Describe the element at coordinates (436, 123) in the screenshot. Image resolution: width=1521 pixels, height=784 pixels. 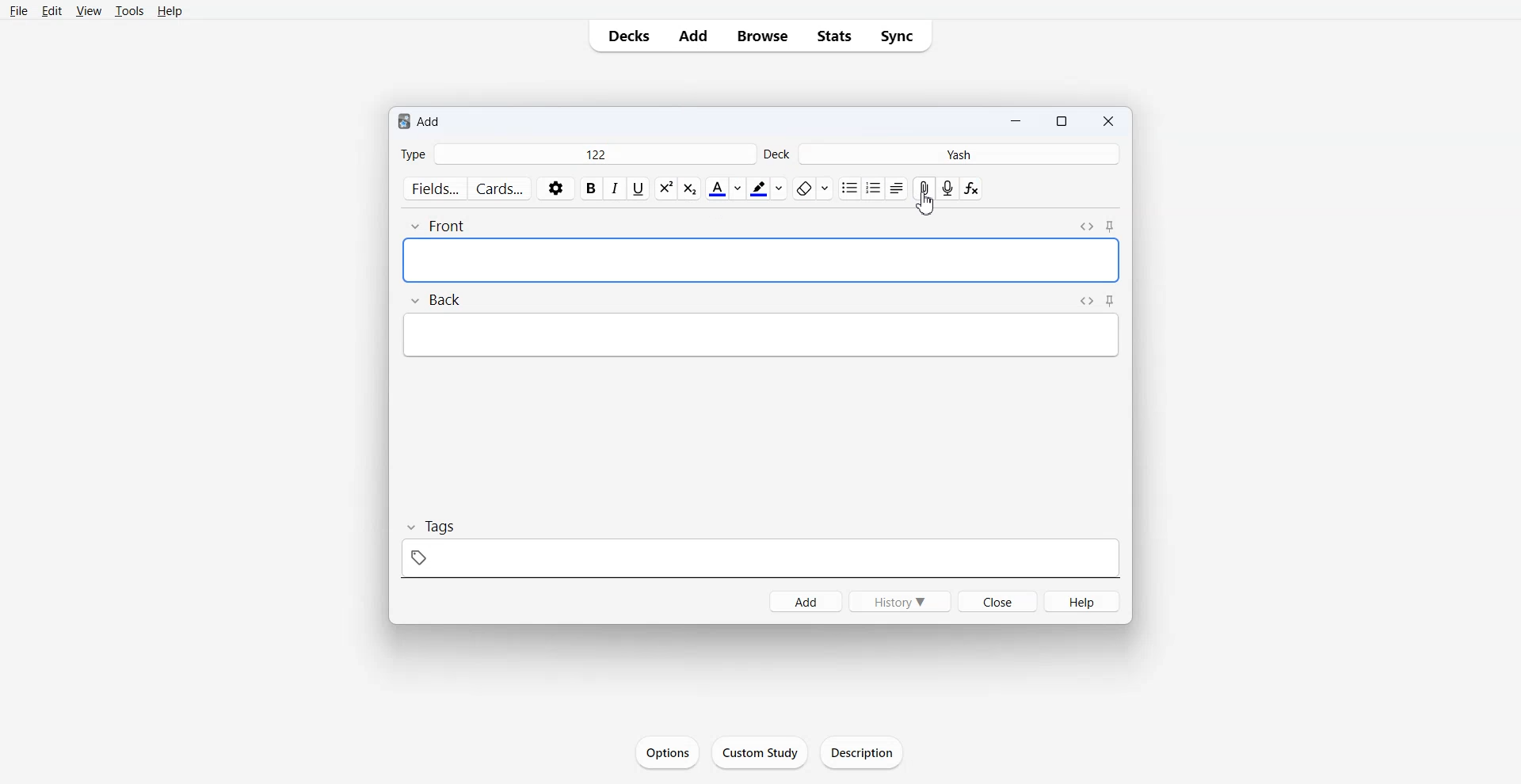
I see `Add` at that location.